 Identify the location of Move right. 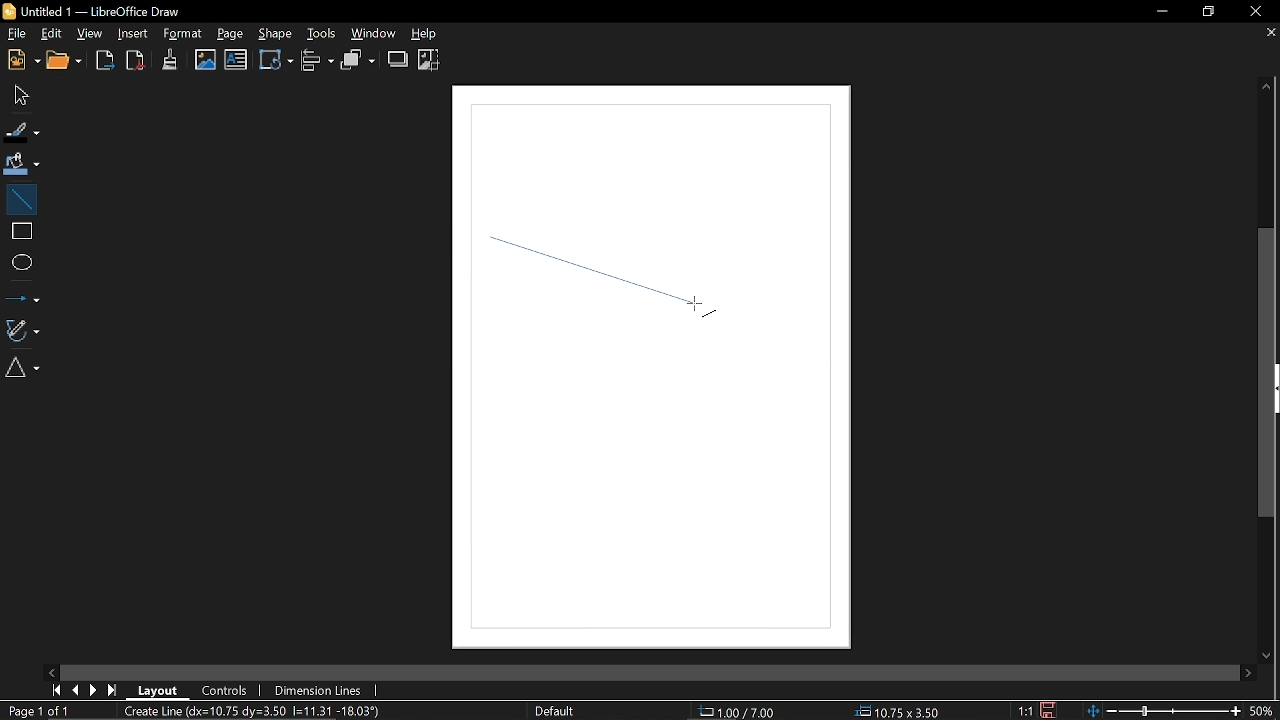
(1250, 673).